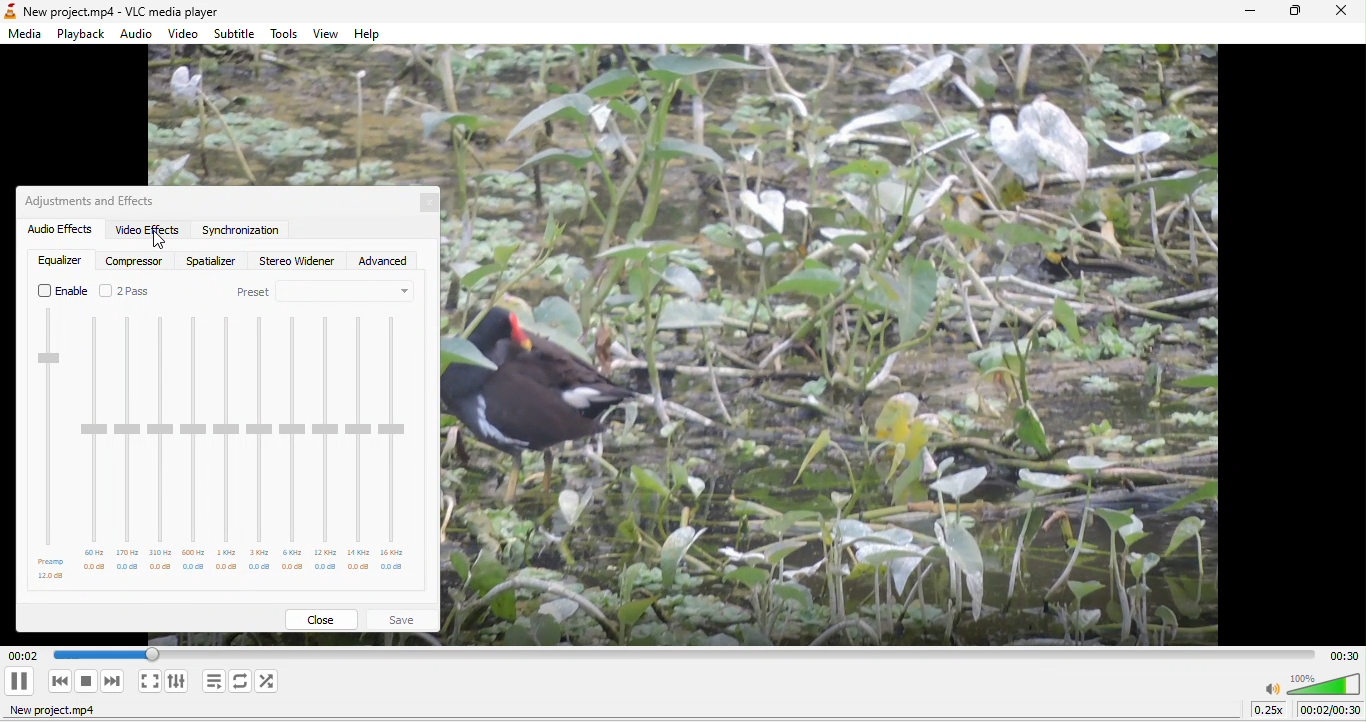 The height and width of the screenshot is (722, 1366). Describe the element at coordinates (149, 681) in the screenshot. I see `toggle the video in fullscreen` at that location.